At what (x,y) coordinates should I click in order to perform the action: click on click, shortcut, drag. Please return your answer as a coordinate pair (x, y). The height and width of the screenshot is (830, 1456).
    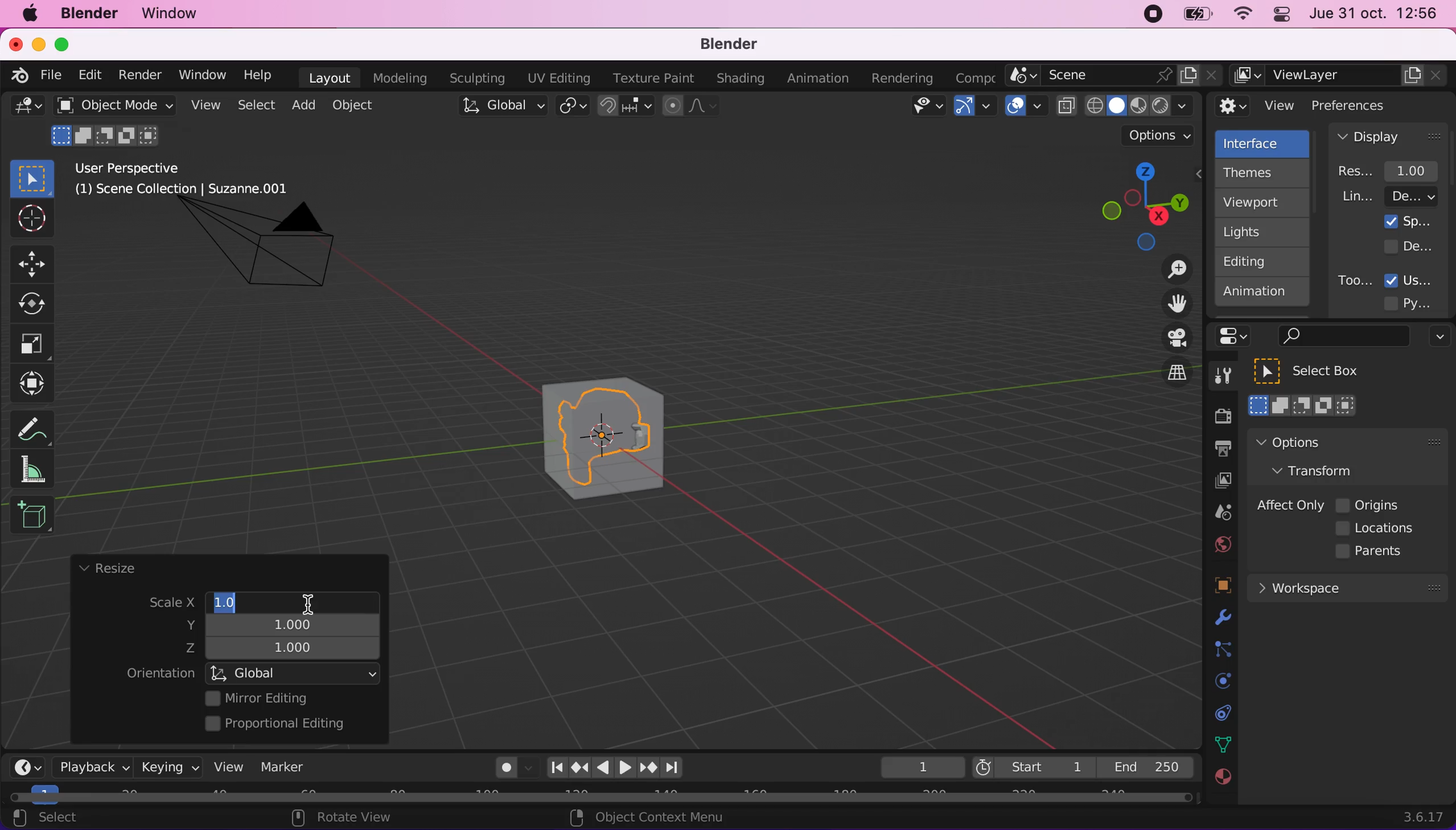
    Looking at the image, I should click on (1141, 206).